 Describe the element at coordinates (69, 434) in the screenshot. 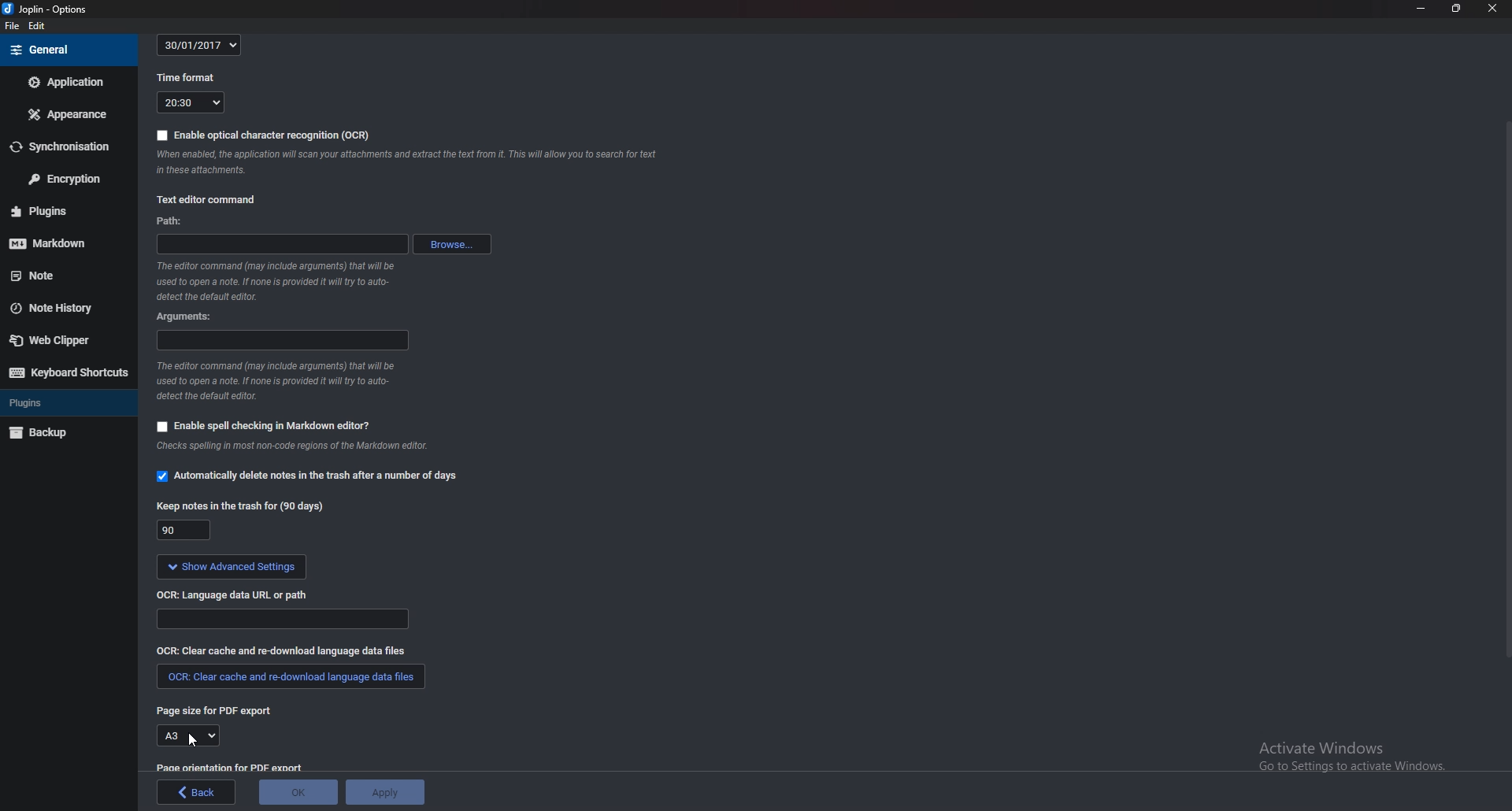

I see `Back up` at that location.